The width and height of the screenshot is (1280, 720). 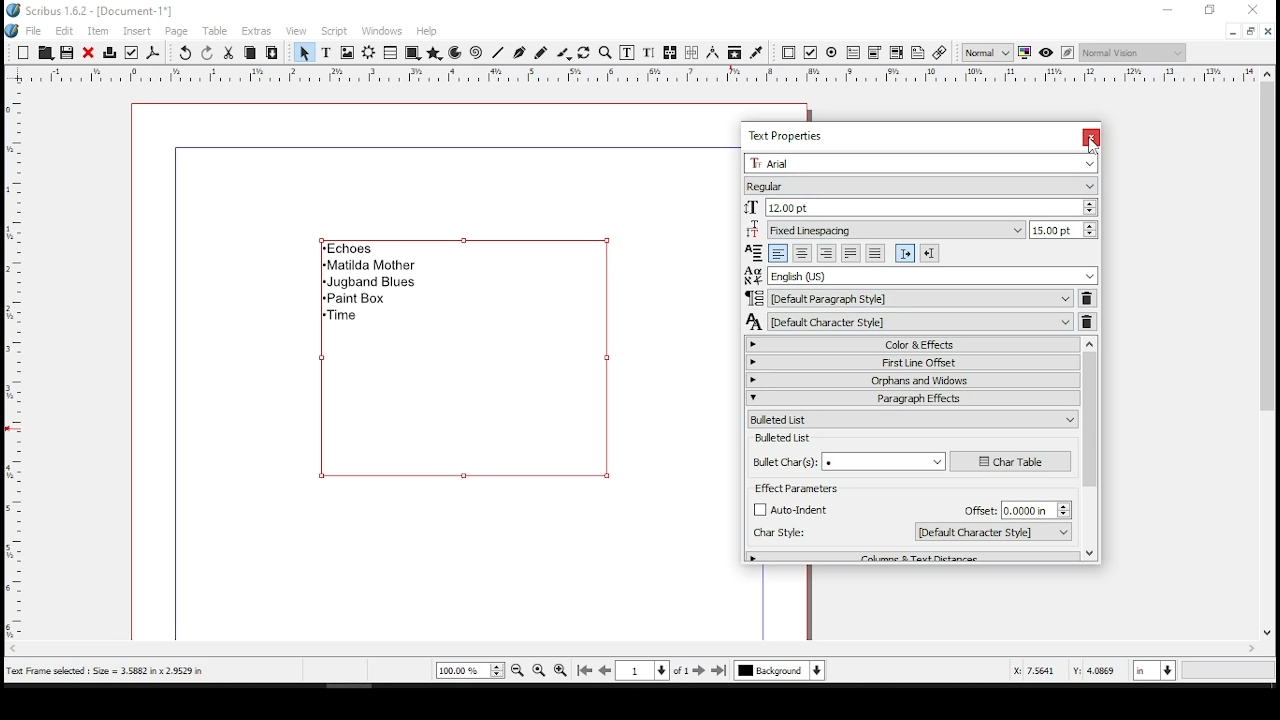 What do you see at coordinates (792, 511) in the screenshot?
I see `checkbox: auto indent` at bounding box center [792, 511].